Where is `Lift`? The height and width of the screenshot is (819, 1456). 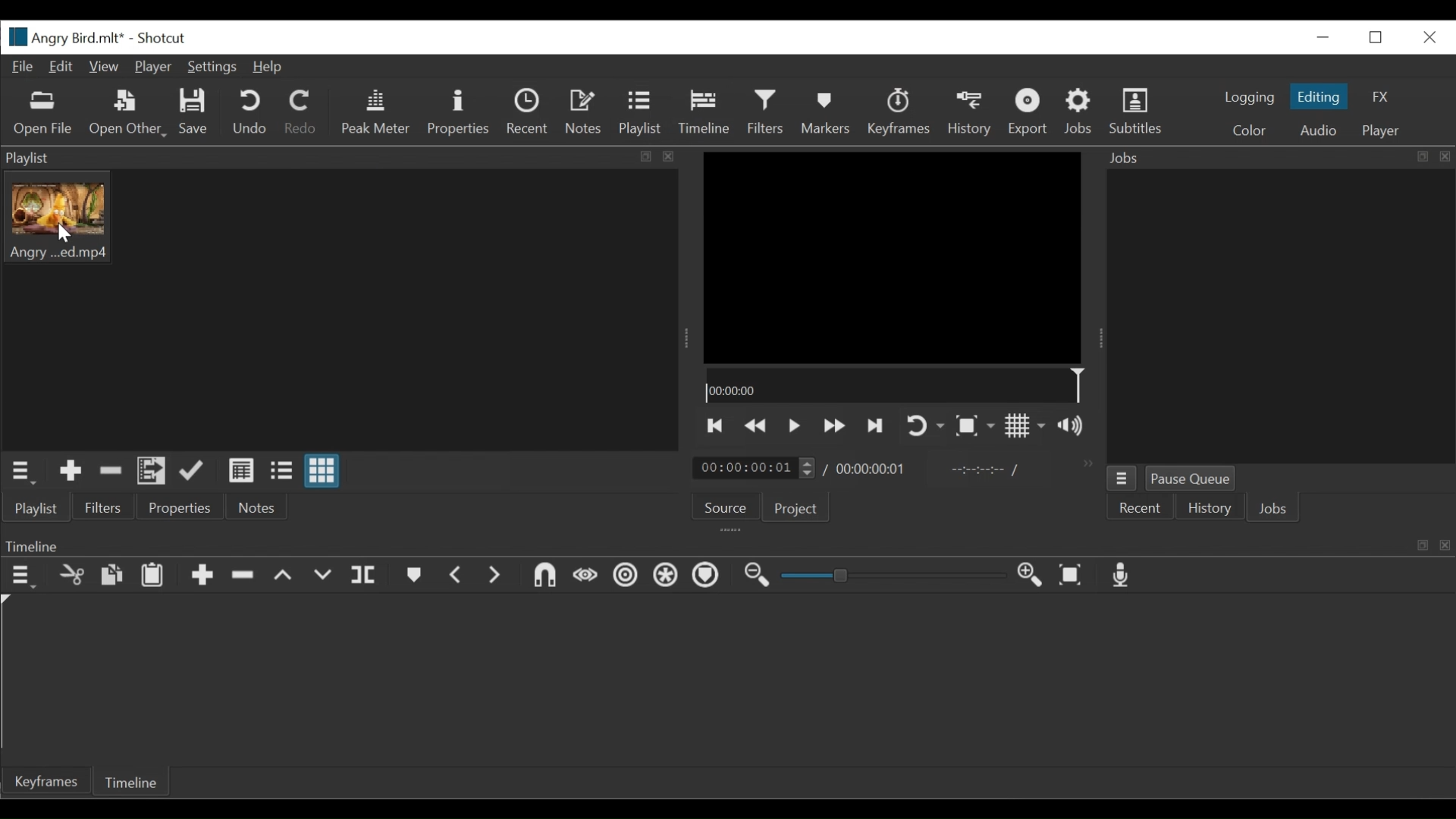 Lift is located at coordinates (283, 576).